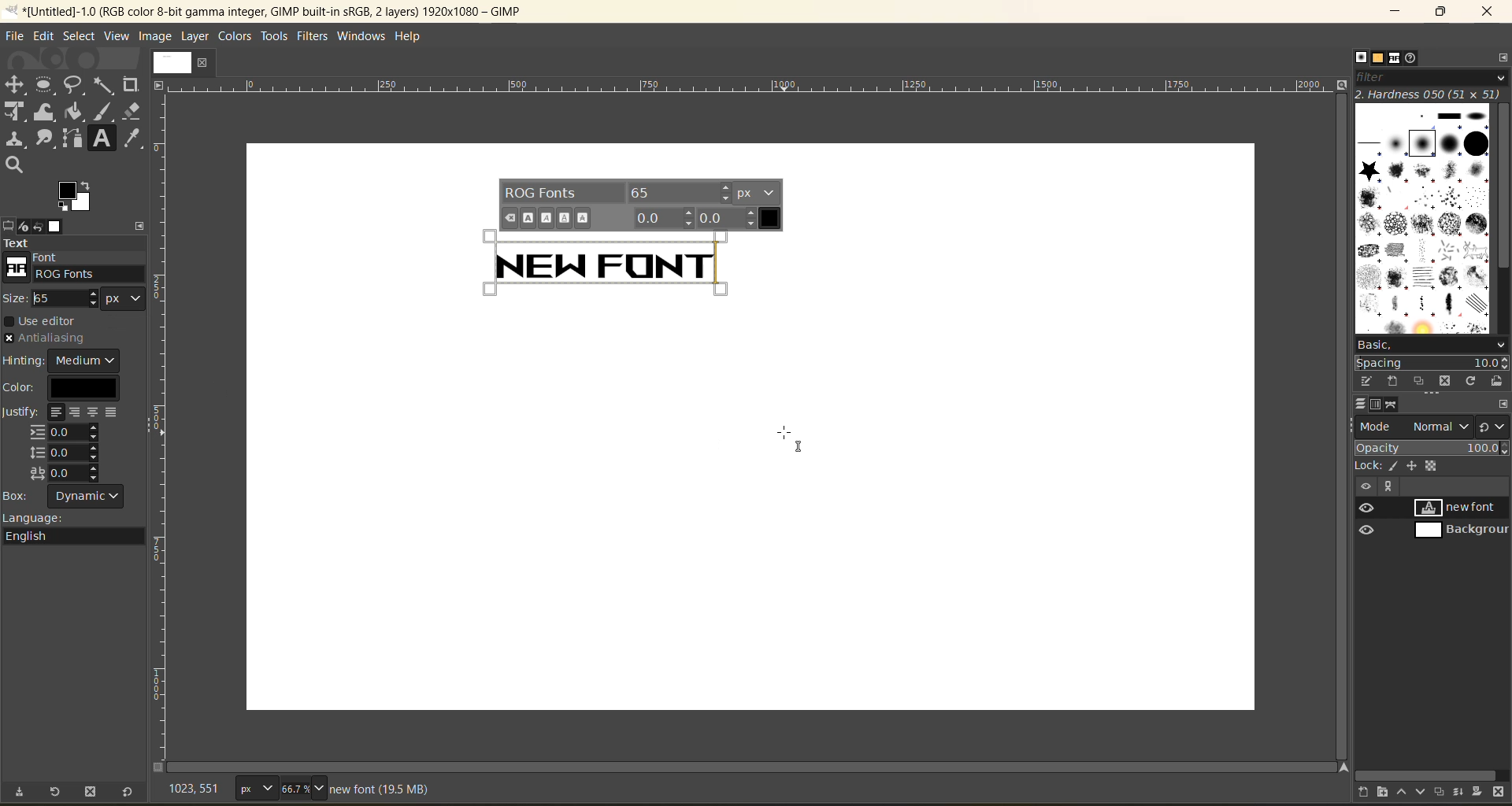 This screenshot has width=1512, height=806. I want to click on channels, so click(1380, 405).